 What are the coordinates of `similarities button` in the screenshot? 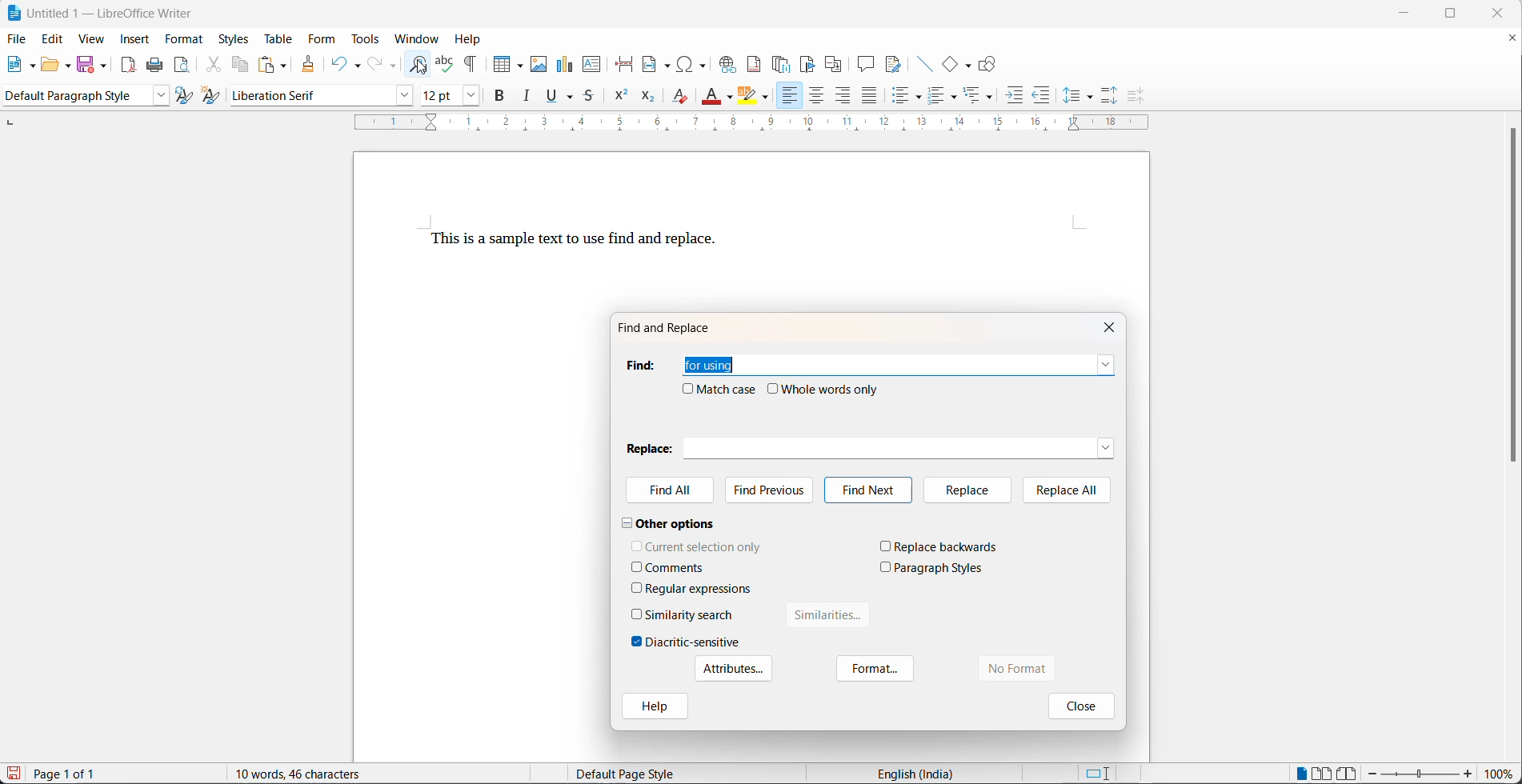 It's located at (828, 615).